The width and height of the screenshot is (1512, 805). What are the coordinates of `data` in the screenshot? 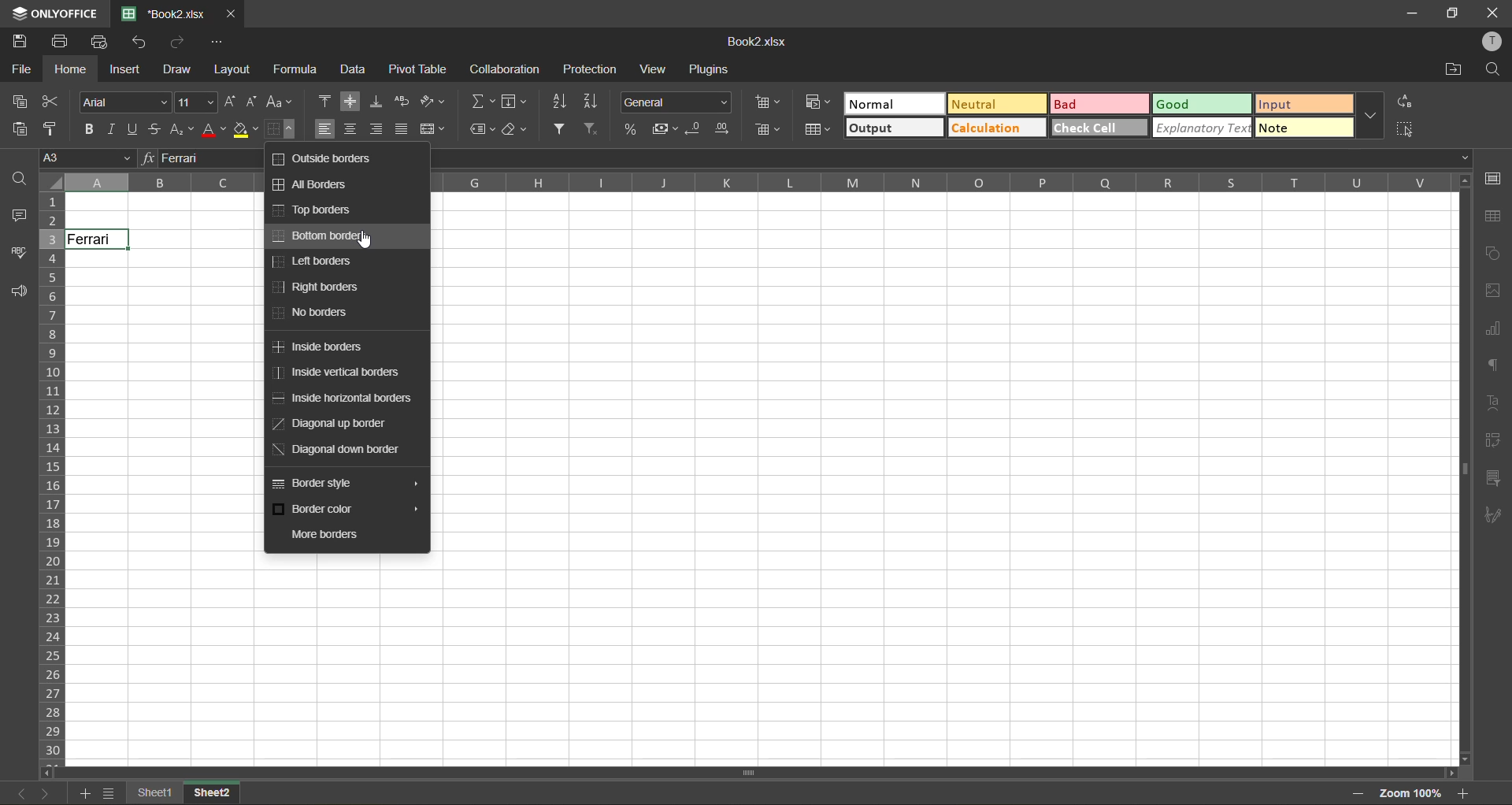 It's located at (354, 71).